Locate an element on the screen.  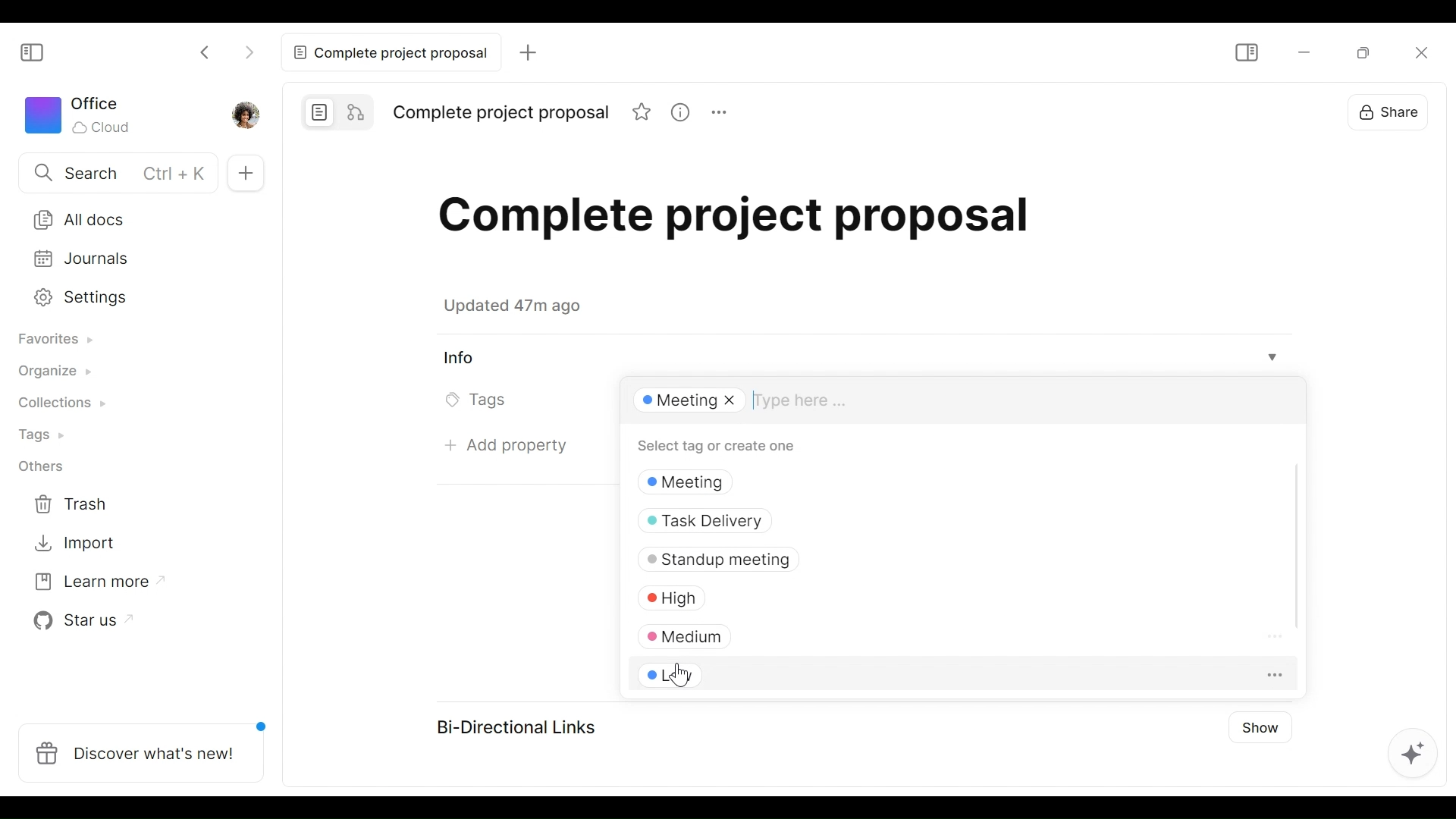
Trash is located at coordinates (80, 504).